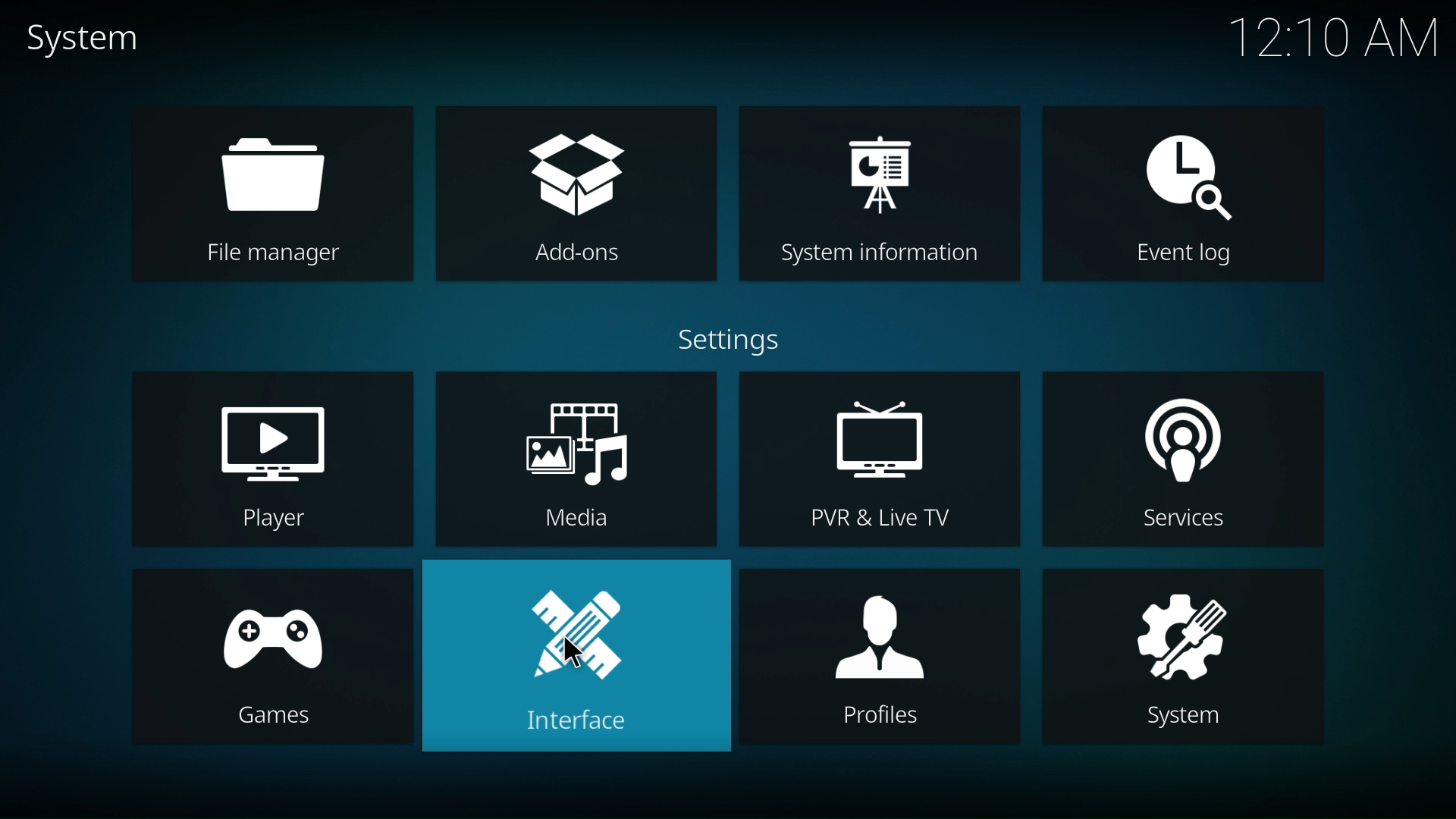  Describe the element at coordinates (573, 192) in the screenshot. I see `add ons` at that location.